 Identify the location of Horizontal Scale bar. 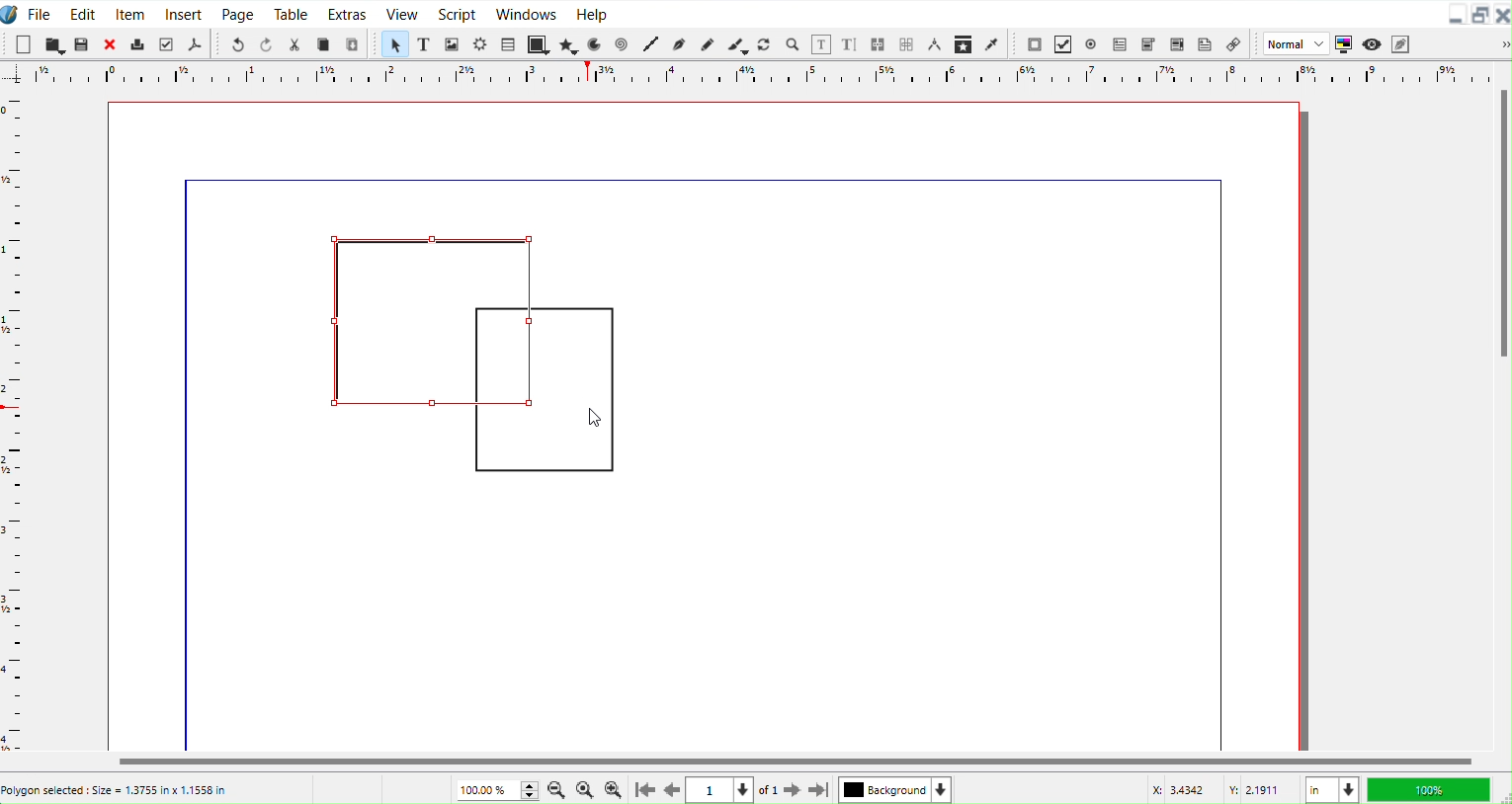
(15, 423).